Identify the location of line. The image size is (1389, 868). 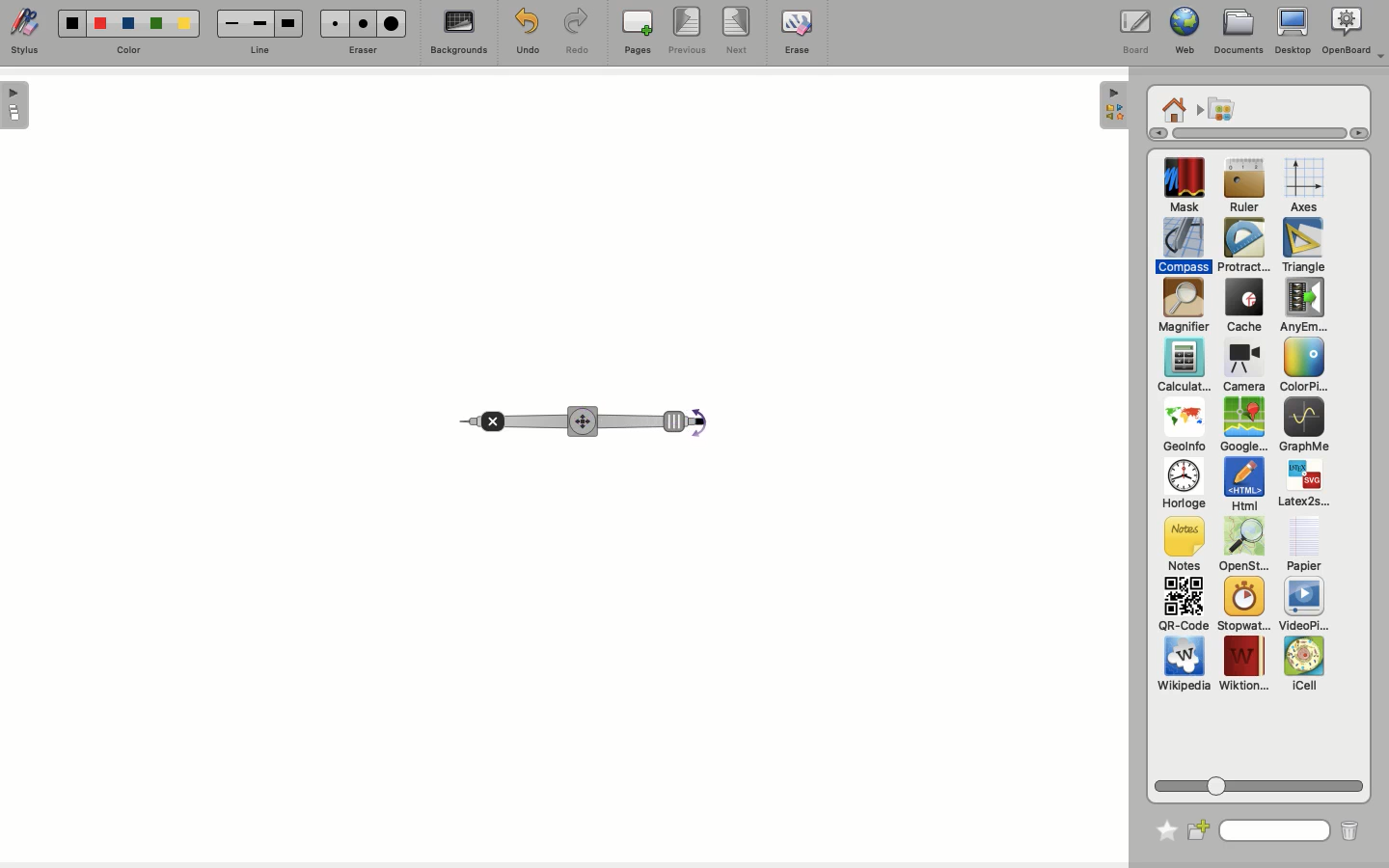
(258, 50).